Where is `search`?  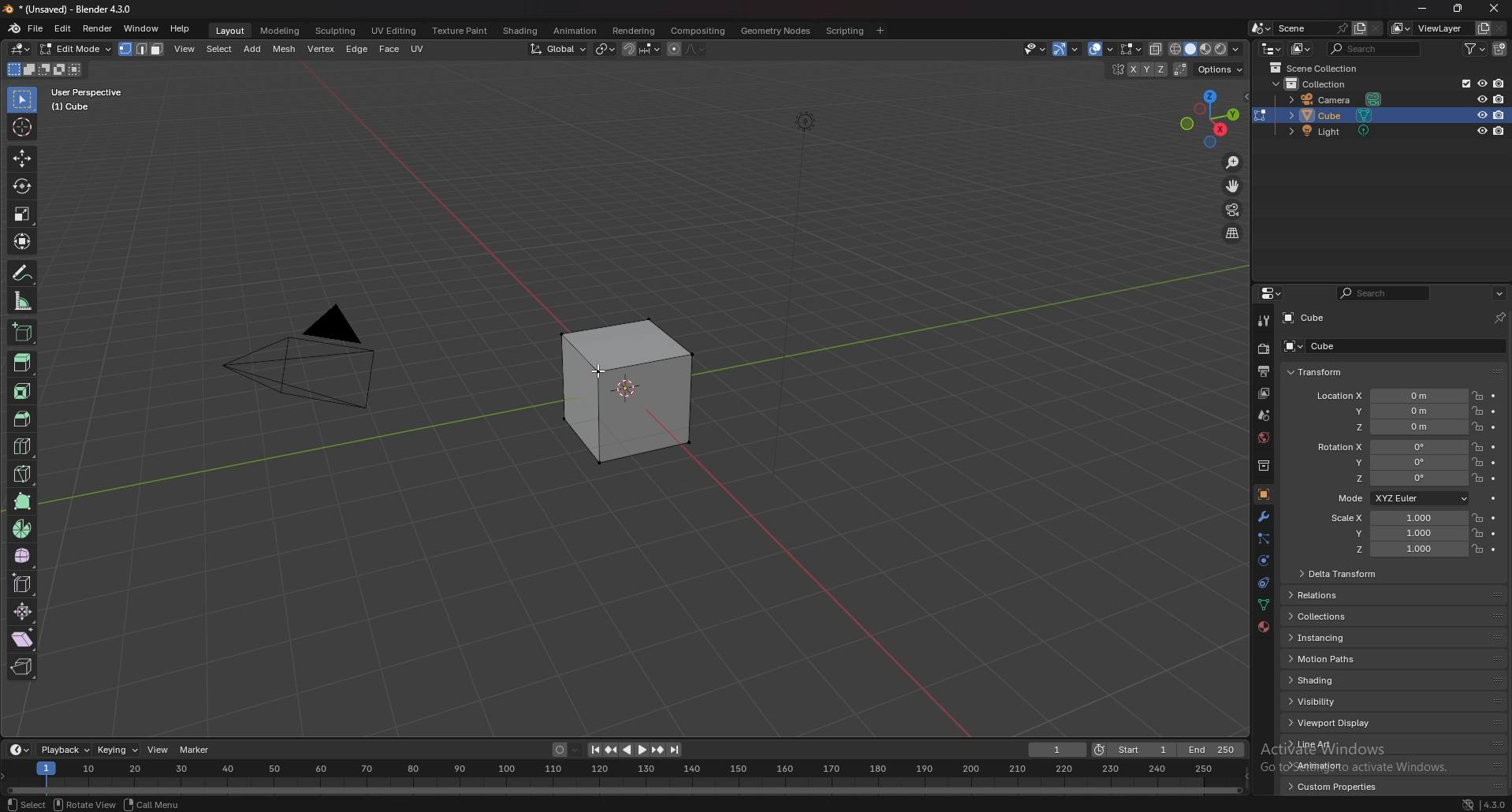
search is located at coordinates (1372, 48).